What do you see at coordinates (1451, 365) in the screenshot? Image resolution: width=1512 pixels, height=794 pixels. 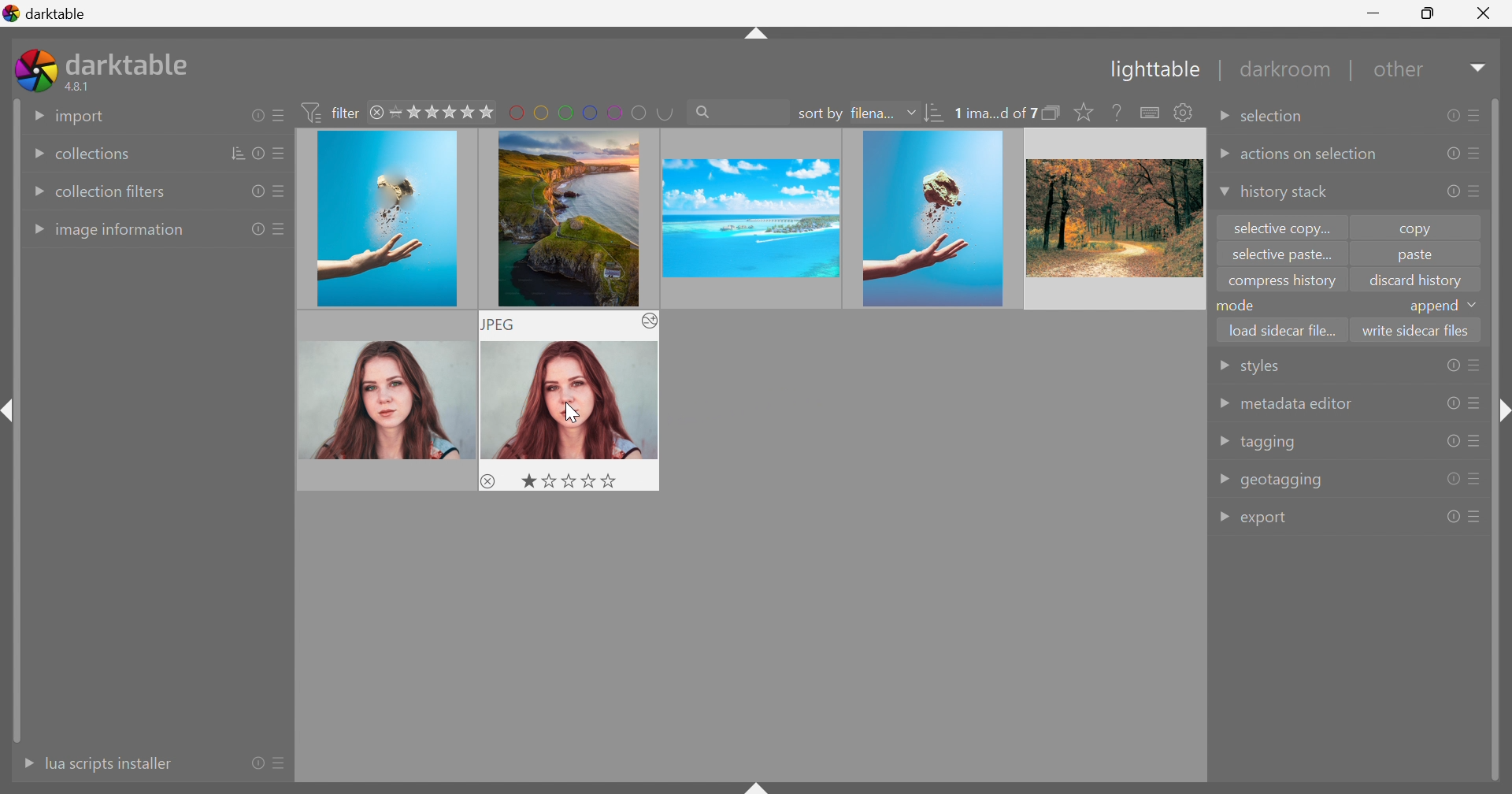 I see `reset` at bounding box center [1451, 365].